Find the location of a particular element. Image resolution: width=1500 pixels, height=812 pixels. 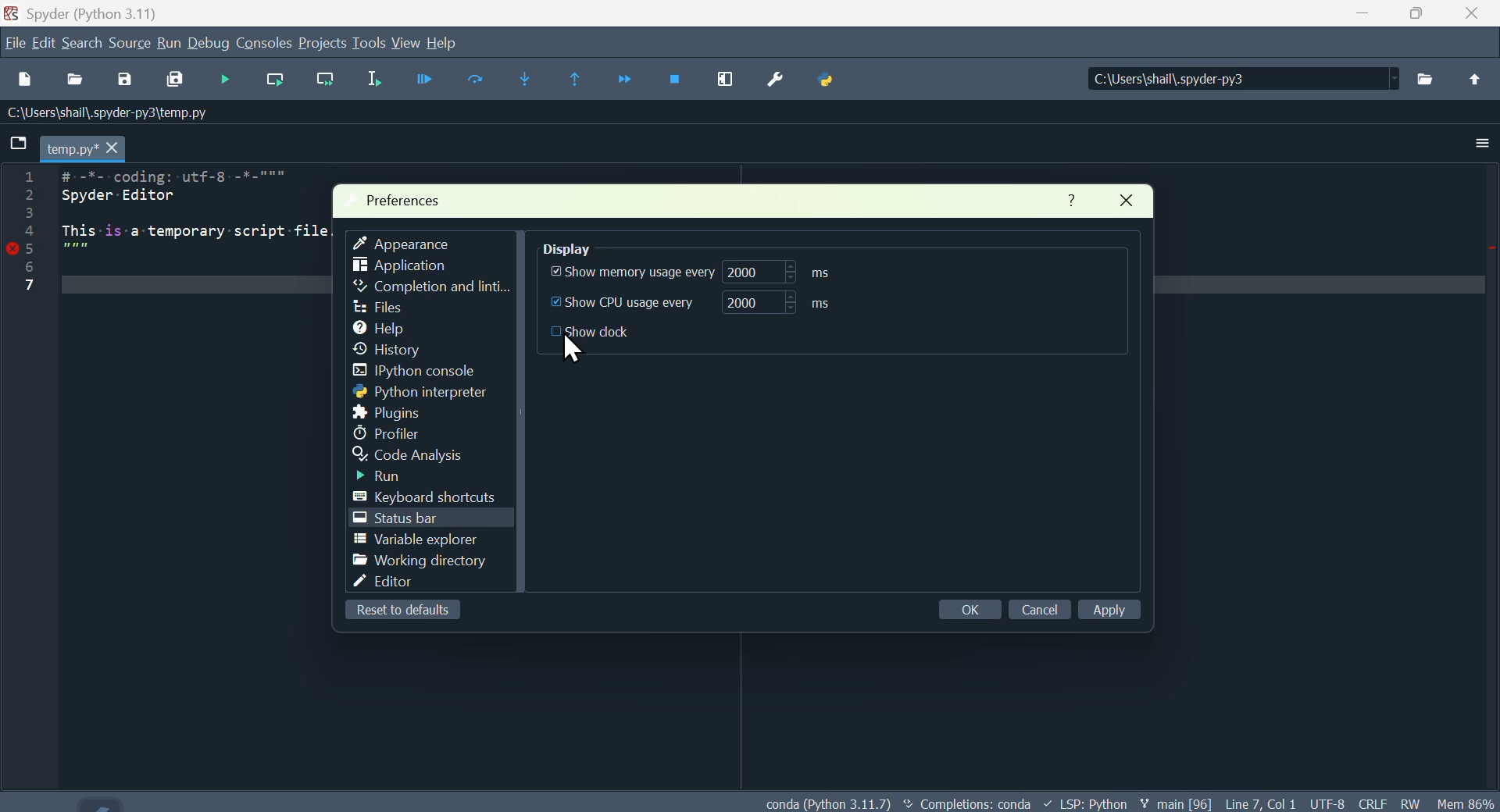

Plugins is located at coordinates (385, 412).